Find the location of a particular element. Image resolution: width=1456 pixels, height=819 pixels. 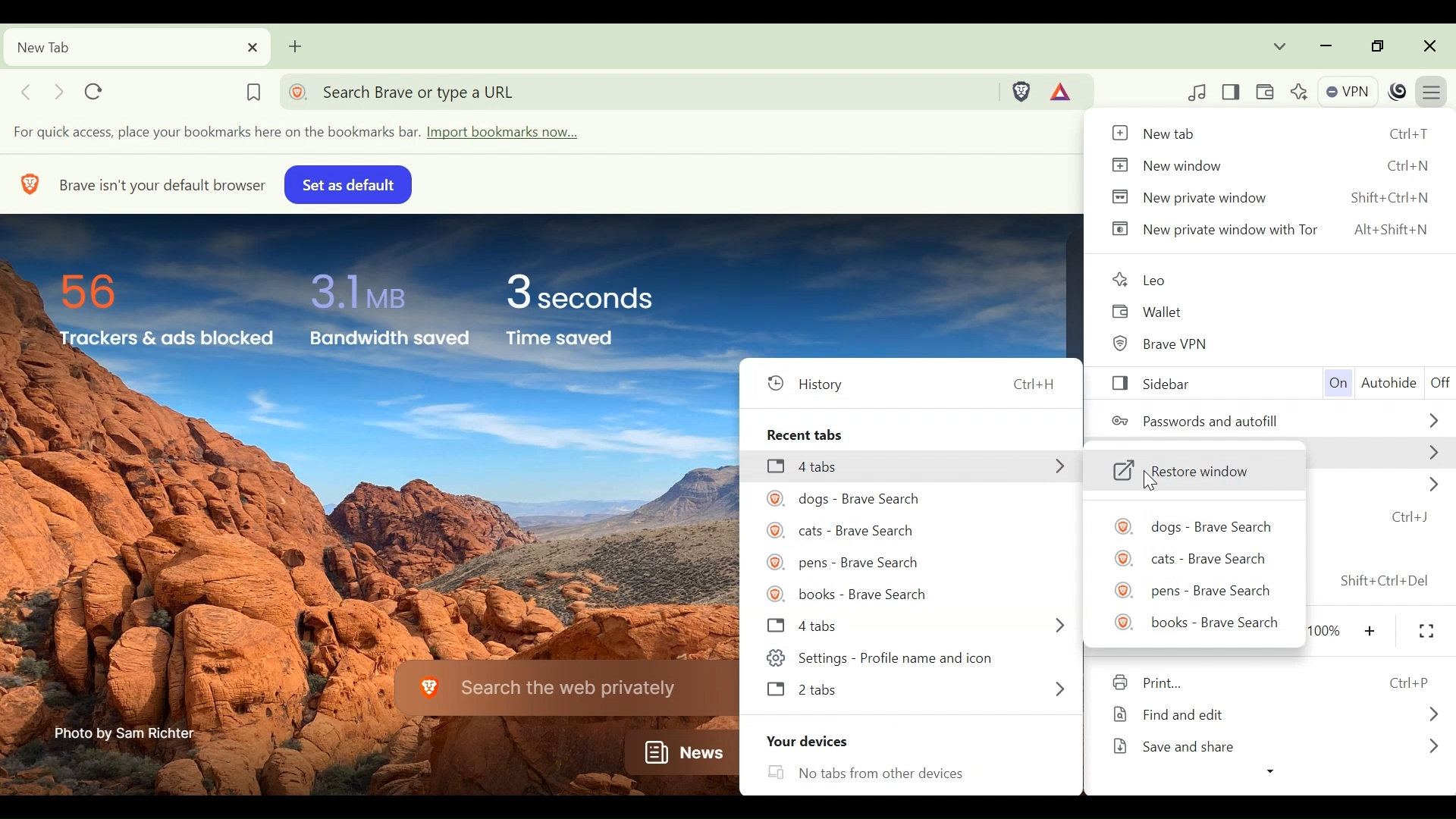

Leo AI is located at coordinates (1298, 90).